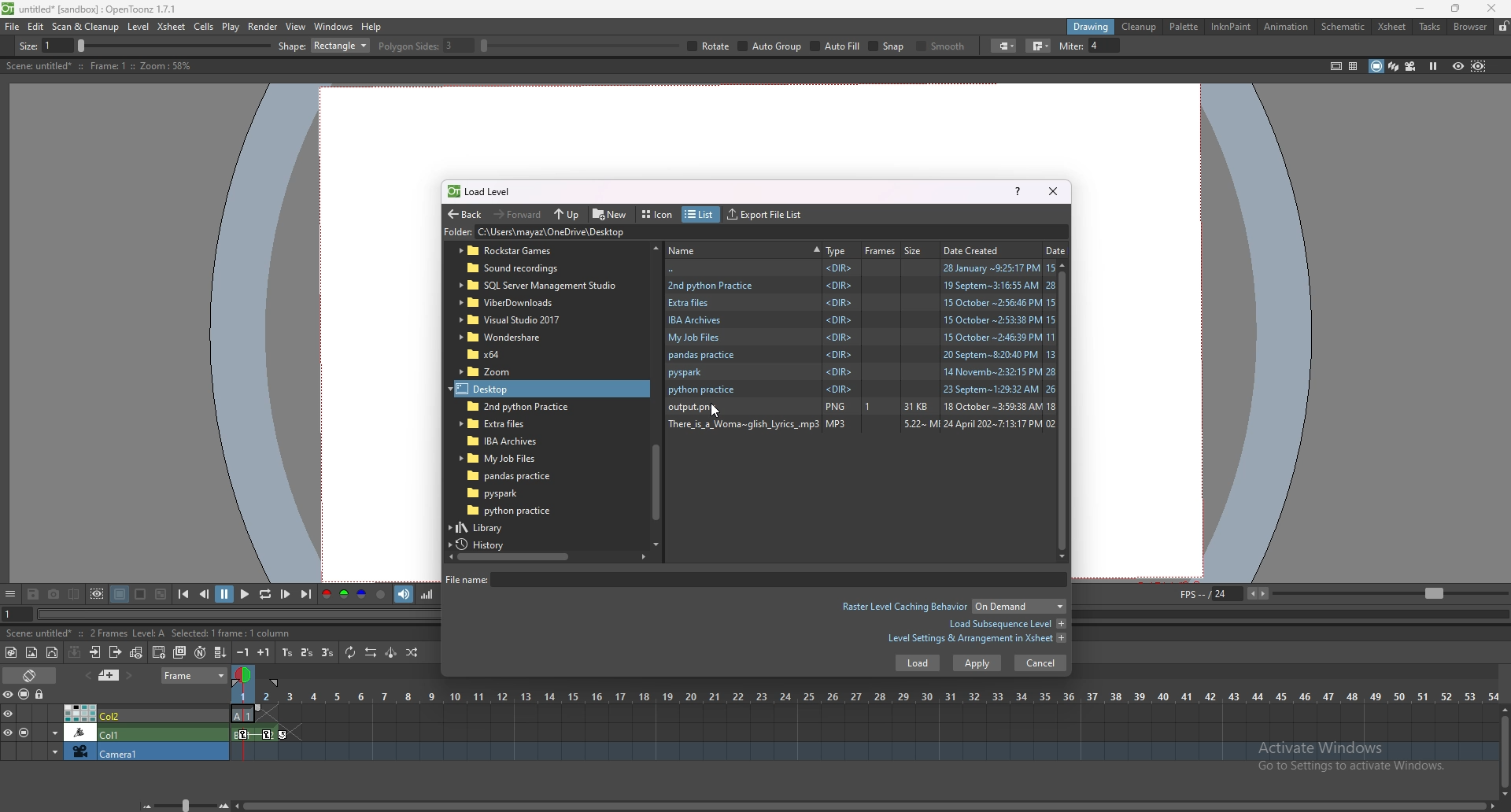 The width and height of the screenshot is (1511, 812). I want to click on names, so click(744, 249).